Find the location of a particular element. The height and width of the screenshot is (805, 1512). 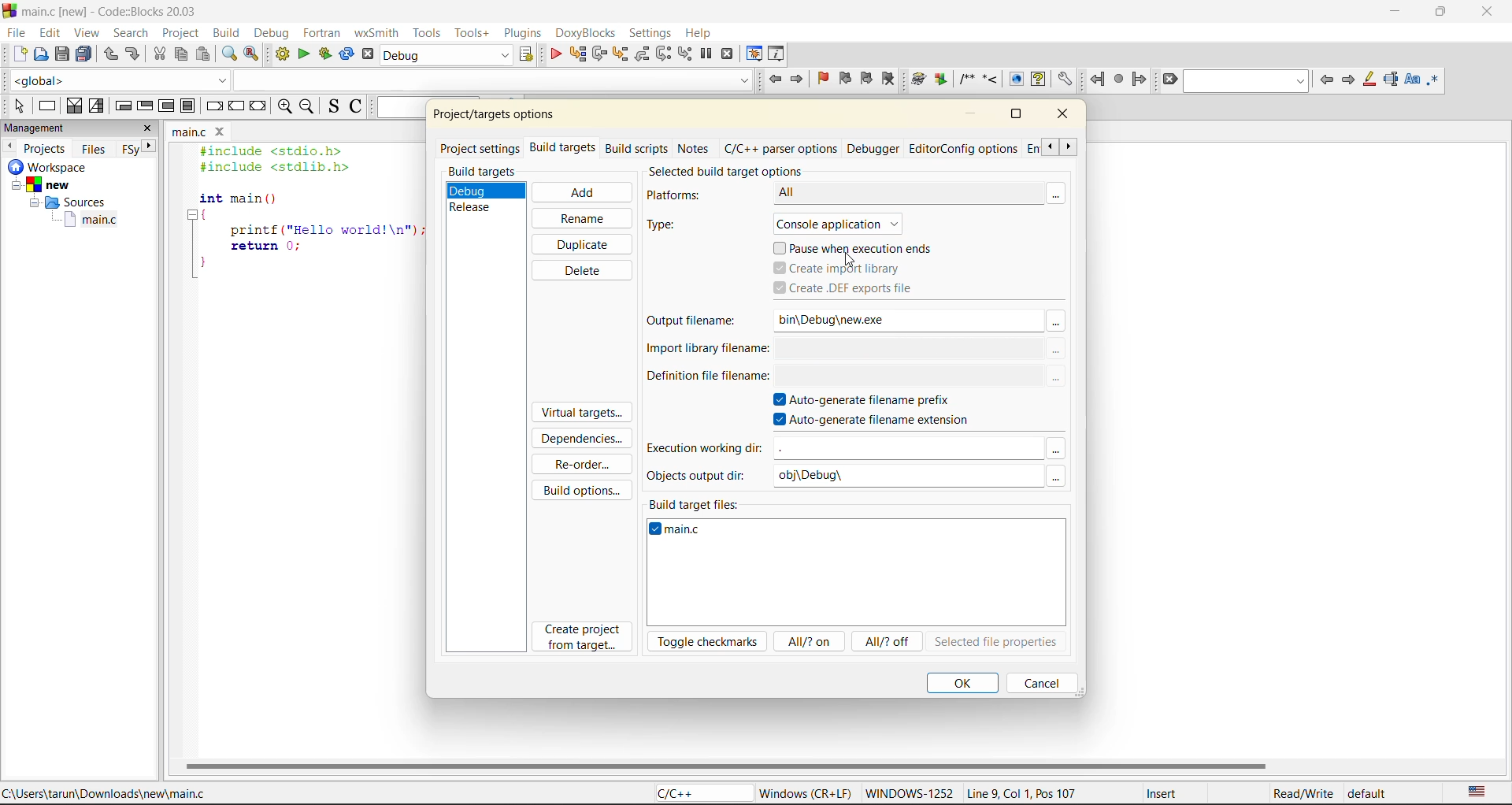

More is located at coordinates (1058, 379).